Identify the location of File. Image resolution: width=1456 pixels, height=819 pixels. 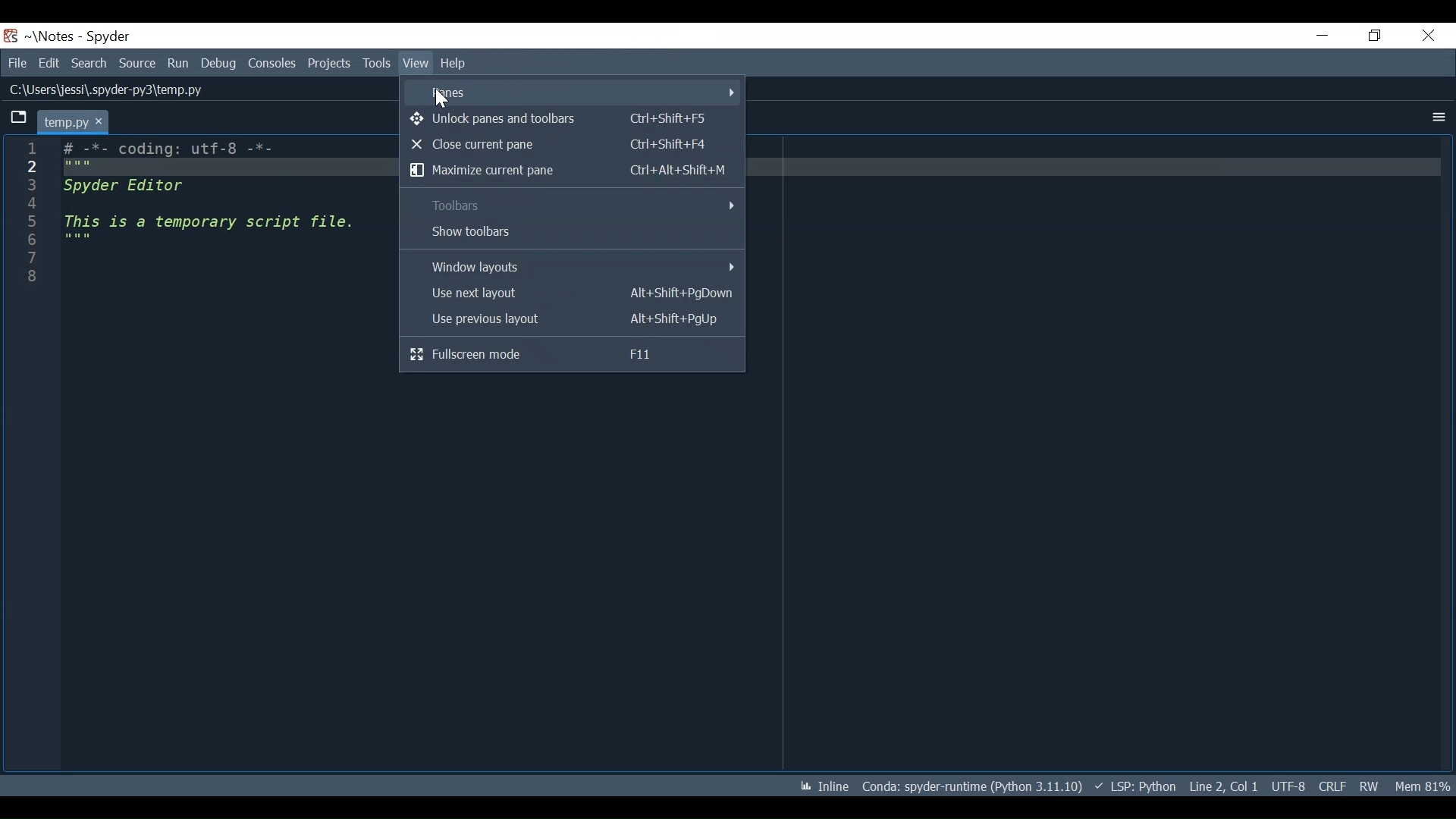
(17, 63).